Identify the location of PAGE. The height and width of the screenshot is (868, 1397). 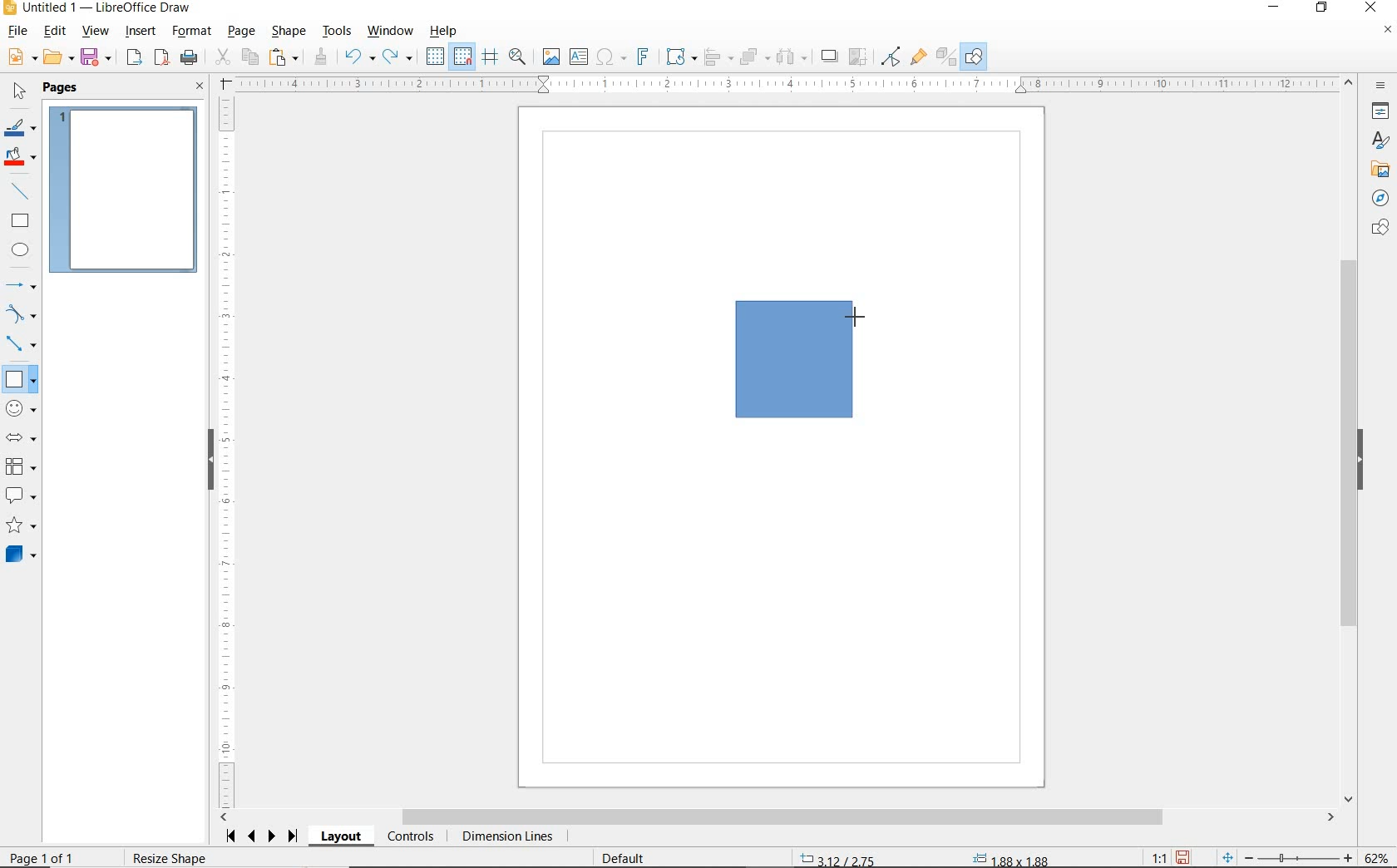
(243, 32).